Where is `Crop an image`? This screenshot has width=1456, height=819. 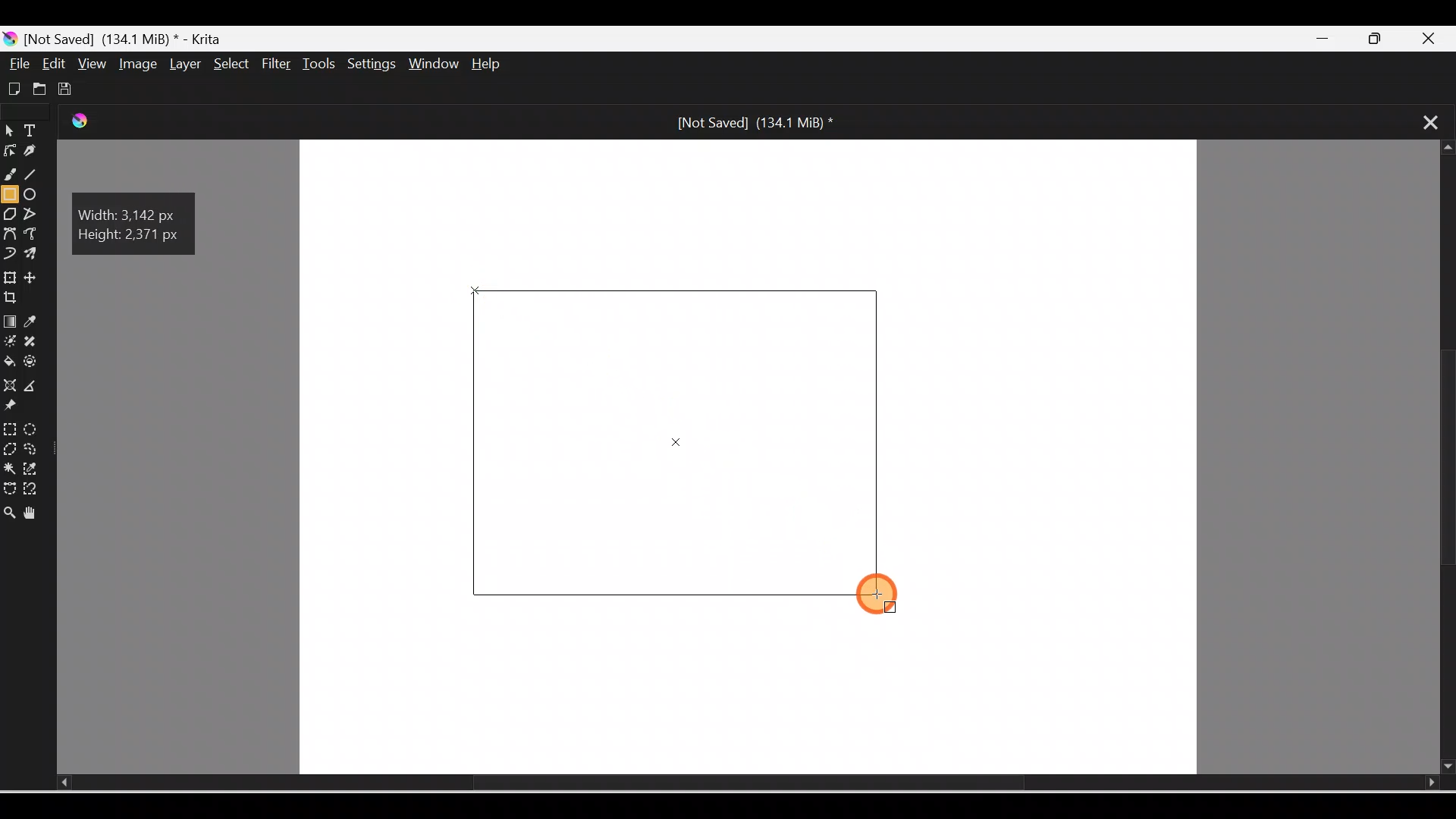 Crop an image is located at coordinates (17, 298).